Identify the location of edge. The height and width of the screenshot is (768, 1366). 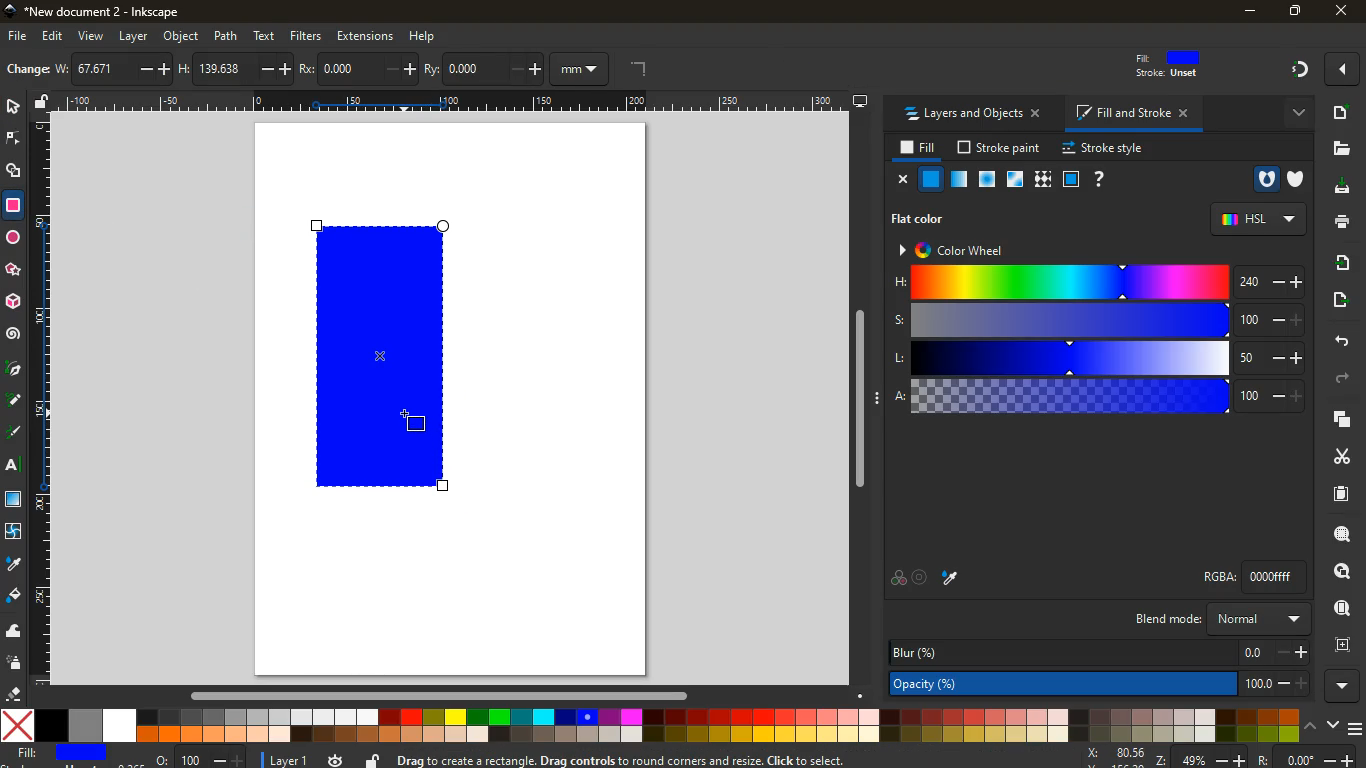
(14, 142).